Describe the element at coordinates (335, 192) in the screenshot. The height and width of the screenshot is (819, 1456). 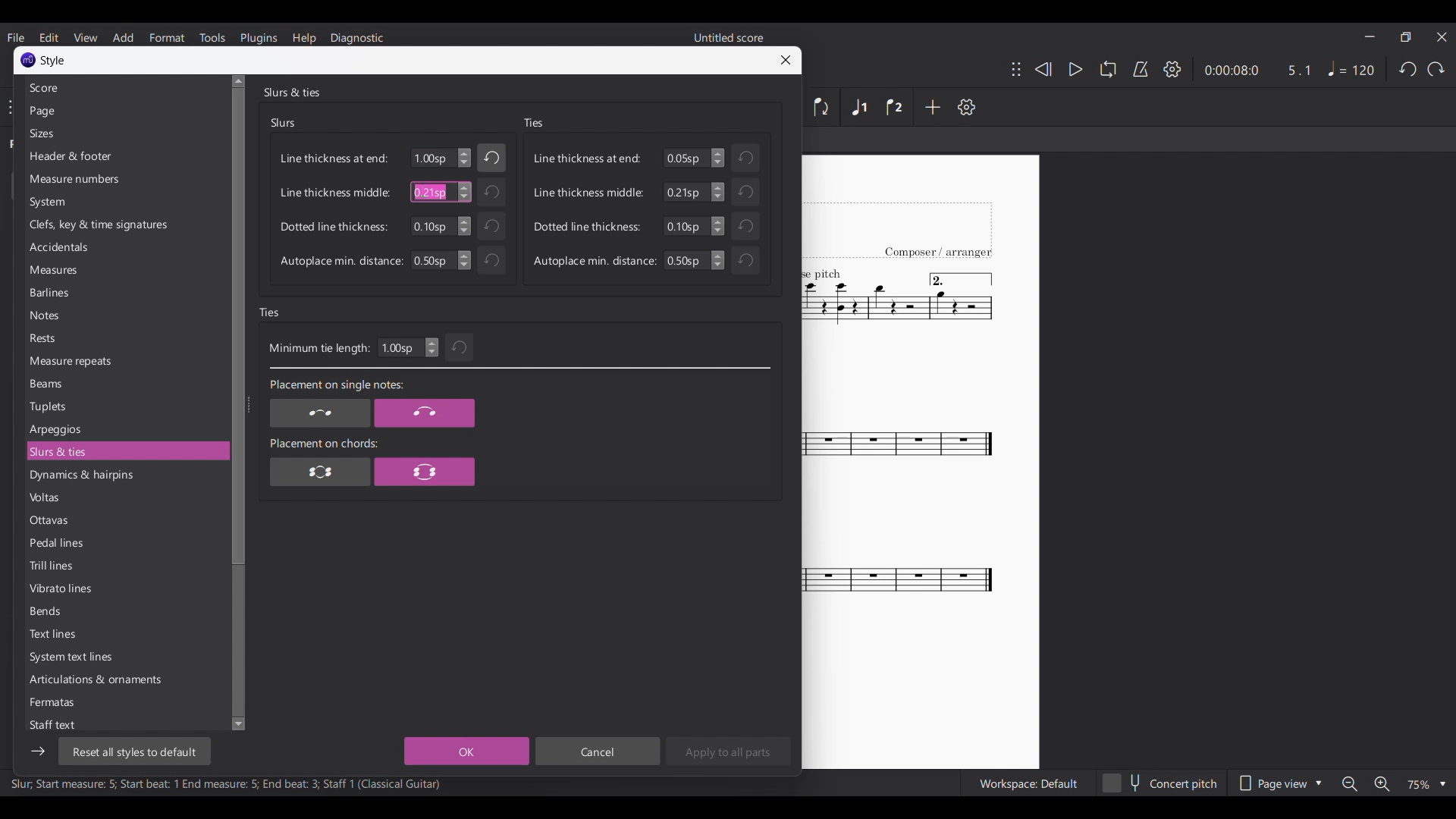
I see `Line thickness middle` at that location.